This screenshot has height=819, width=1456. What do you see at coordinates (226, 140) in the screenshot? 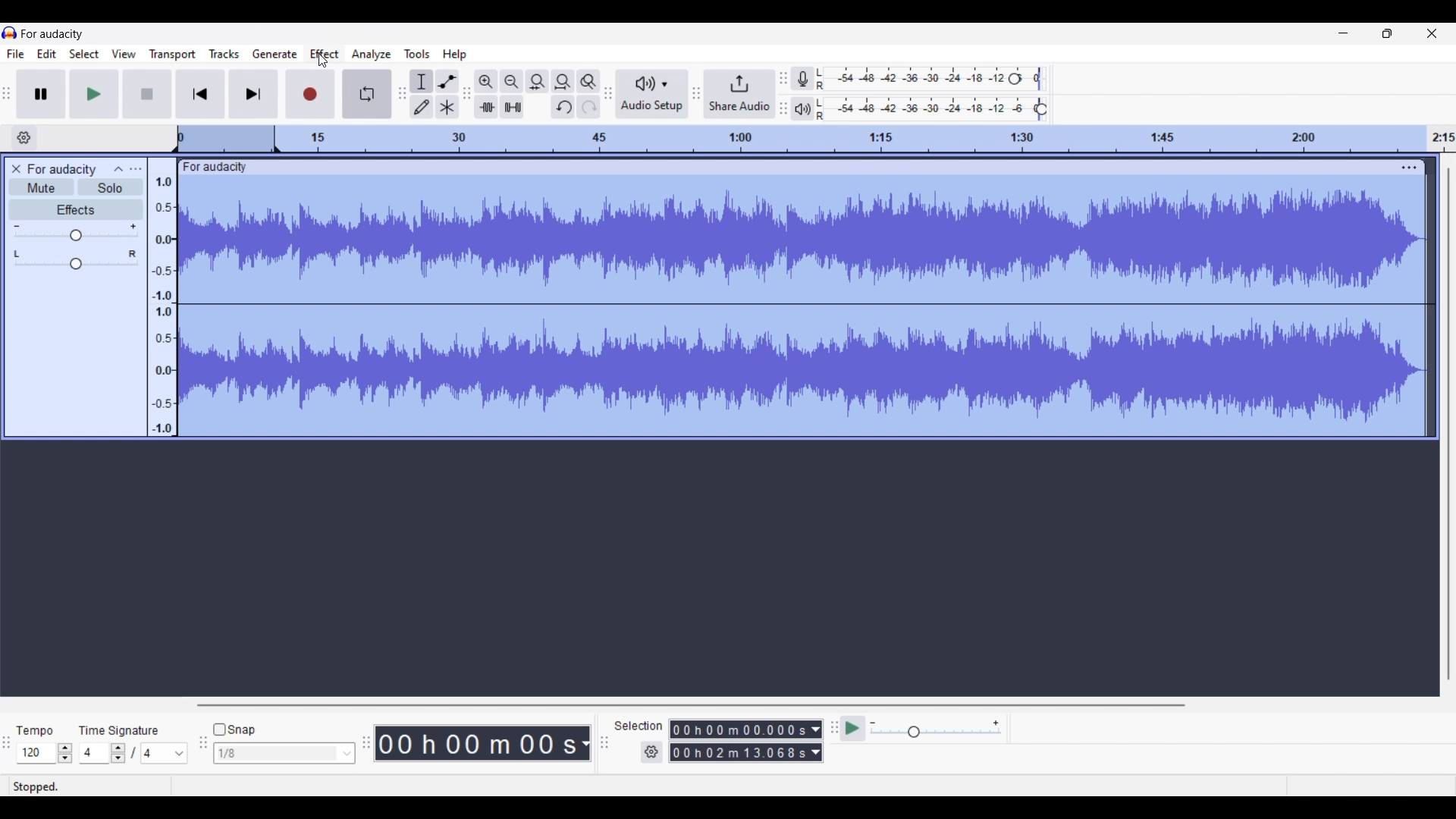
I see `Header space ` at bounding box center [226, 140].